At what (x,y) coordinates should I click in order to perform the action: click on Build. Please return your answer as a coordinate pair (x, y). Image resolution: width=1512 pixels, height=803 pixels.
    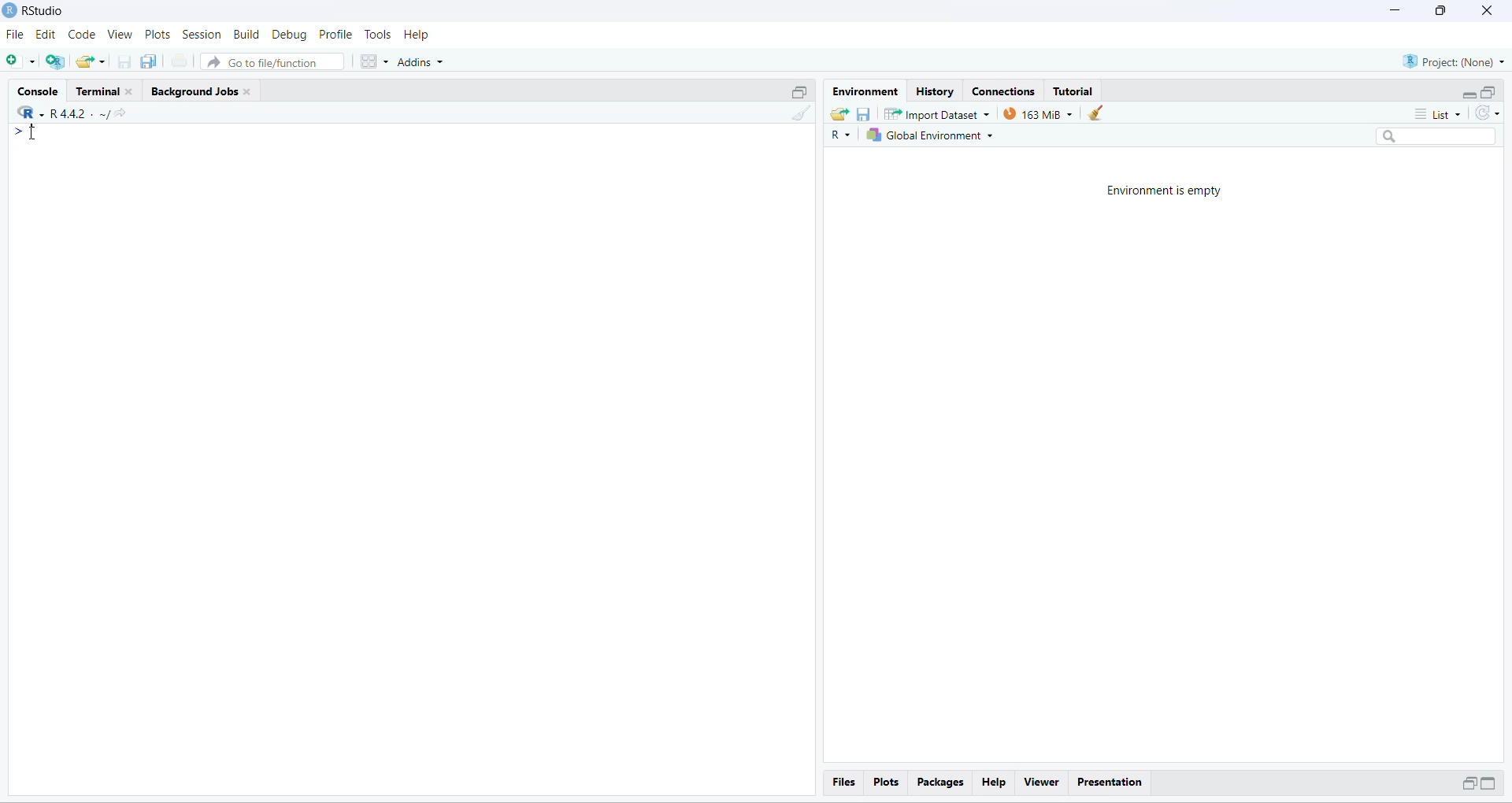
    Looking at the image, I should click on (246, 34).